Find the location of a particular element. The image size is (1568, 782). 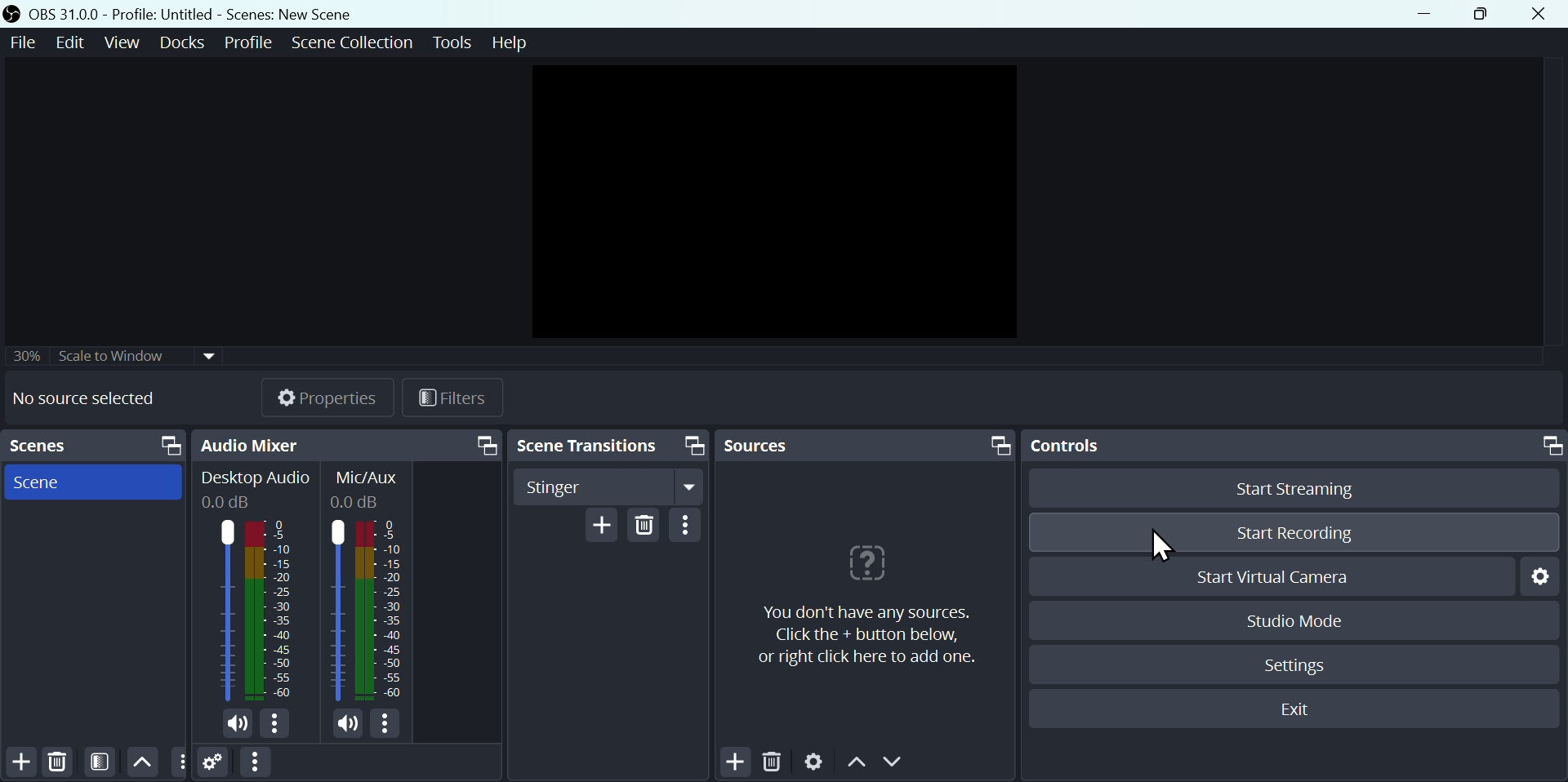

Scene transition is located at coordinates (588, 446).